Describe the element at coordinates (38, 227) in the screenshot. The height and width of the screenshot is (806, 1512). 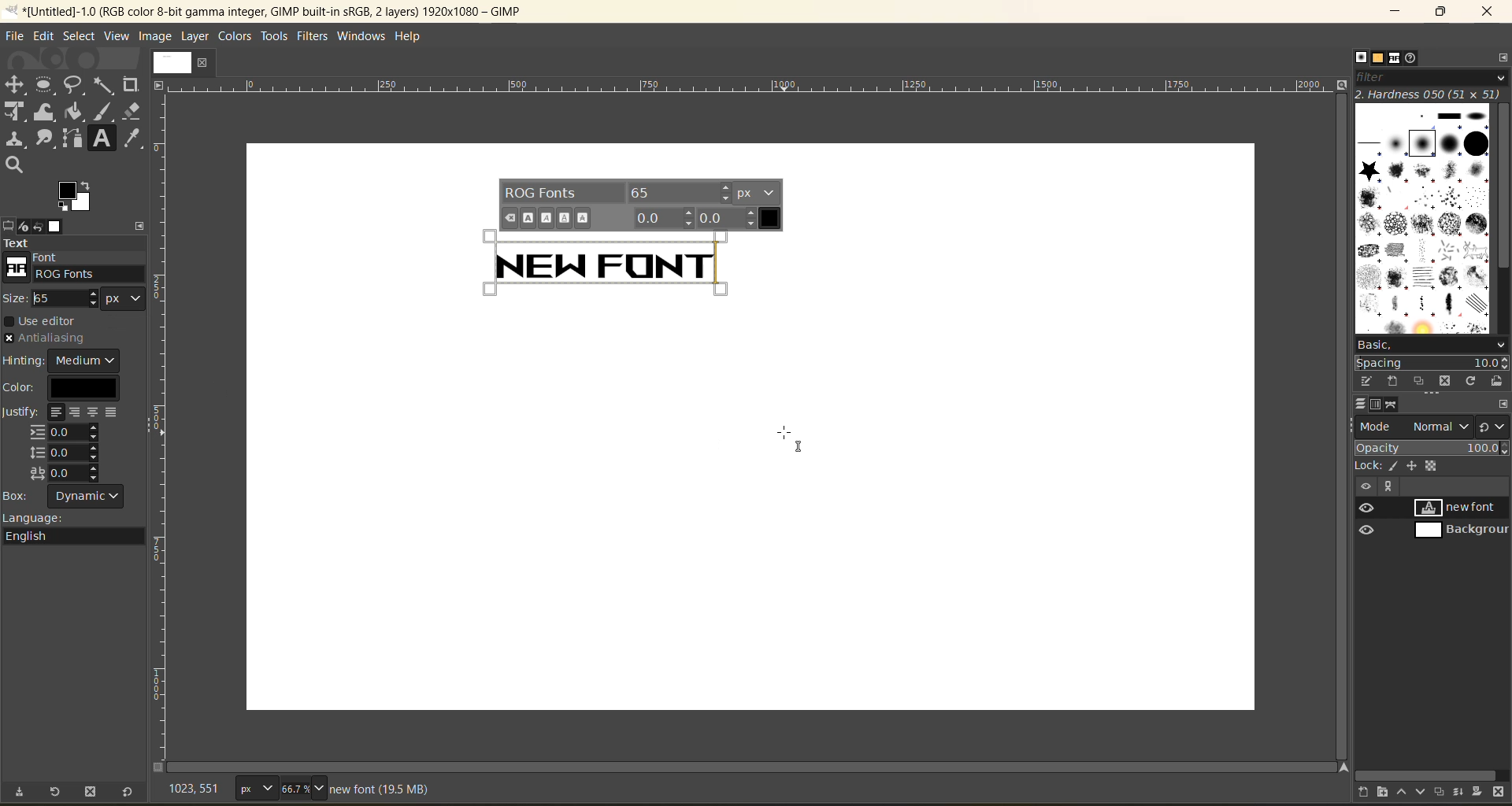
I see `undo history` at that location.